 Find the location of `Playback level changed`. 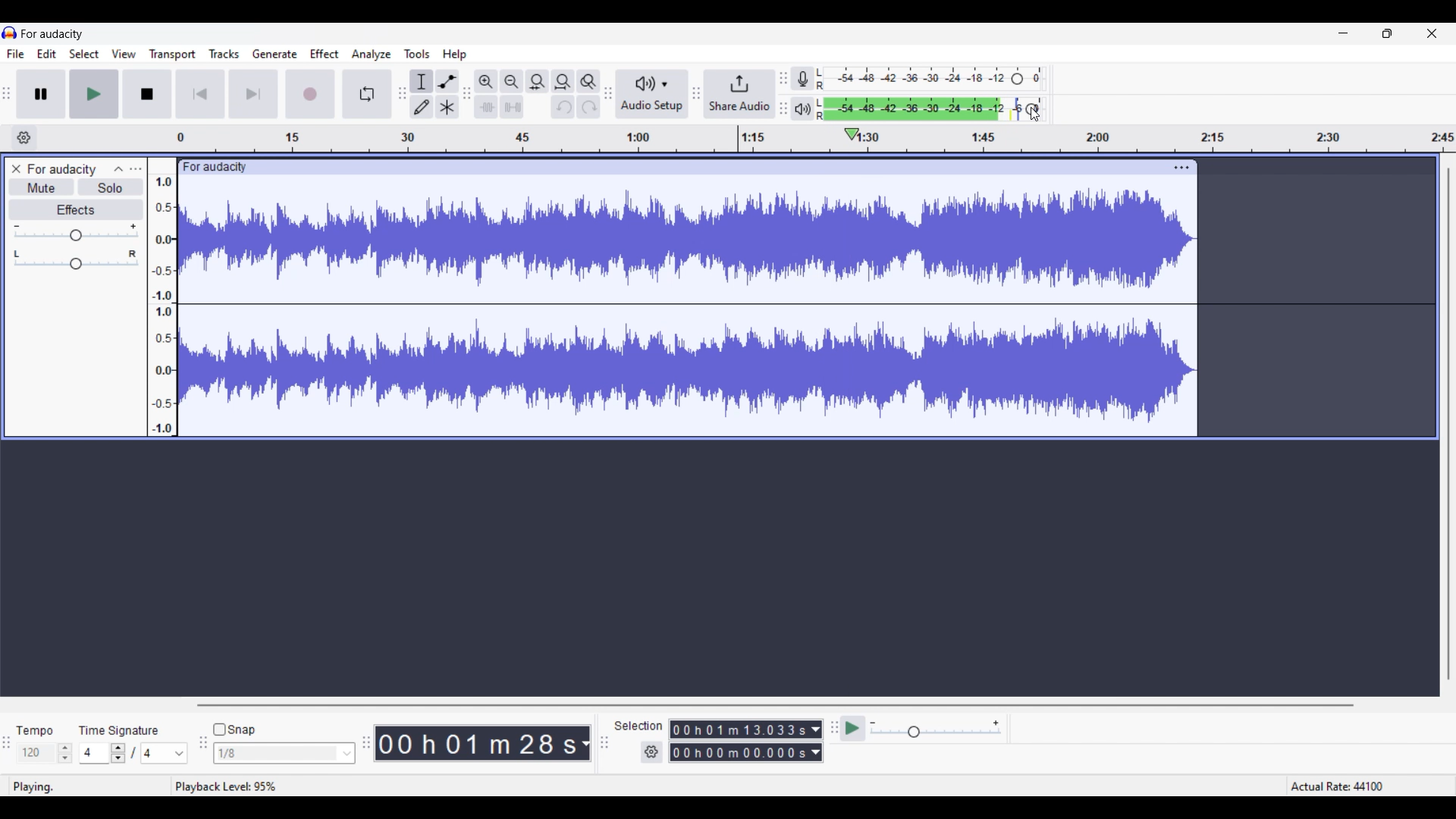

Playback level changed is located at coordinates (935, 108).